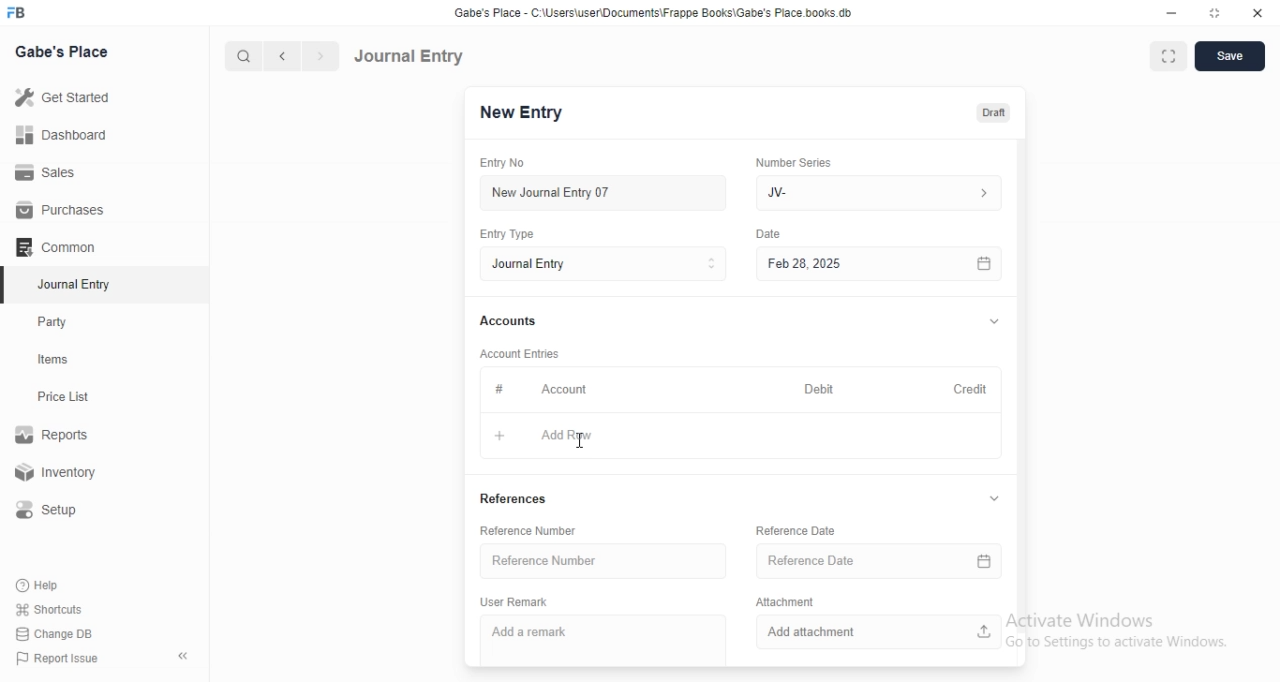  I want to click on Inventory, so click(59, 474).